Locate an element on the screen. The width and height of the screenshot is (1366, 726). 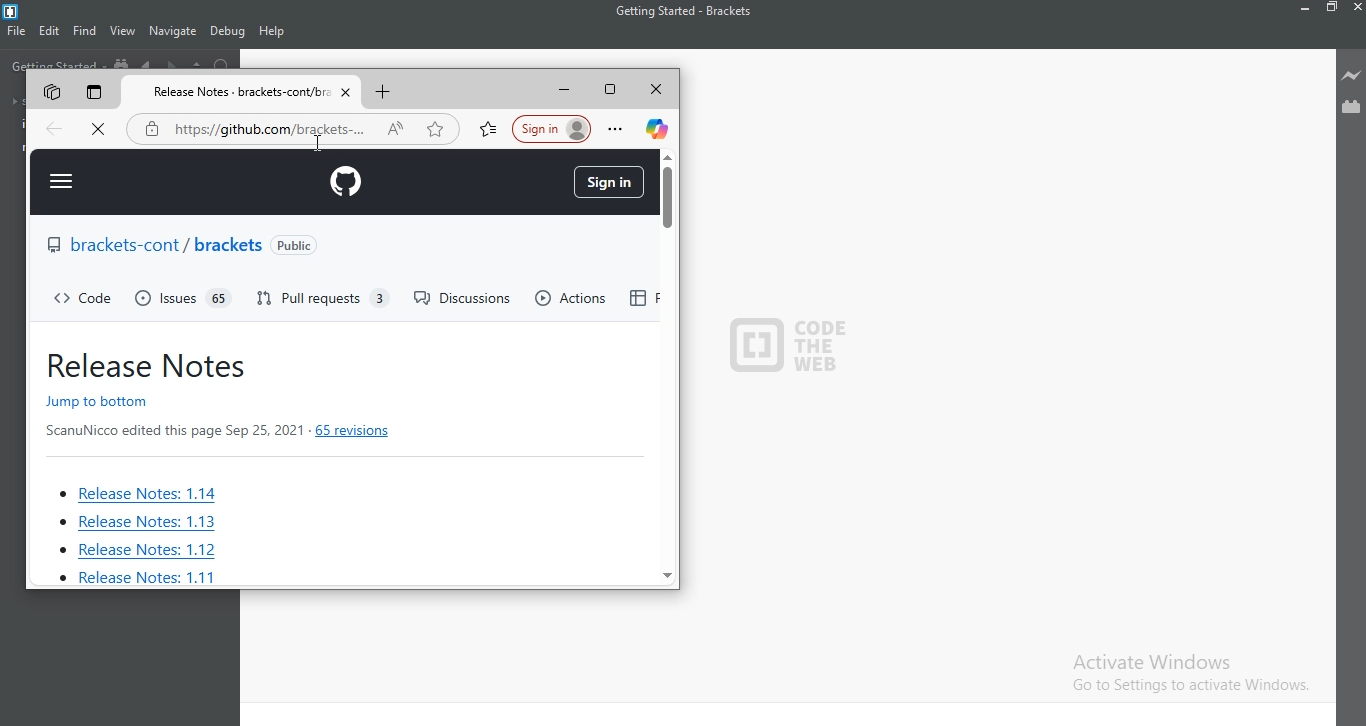
Restore is located at coordinates (1334, 10).